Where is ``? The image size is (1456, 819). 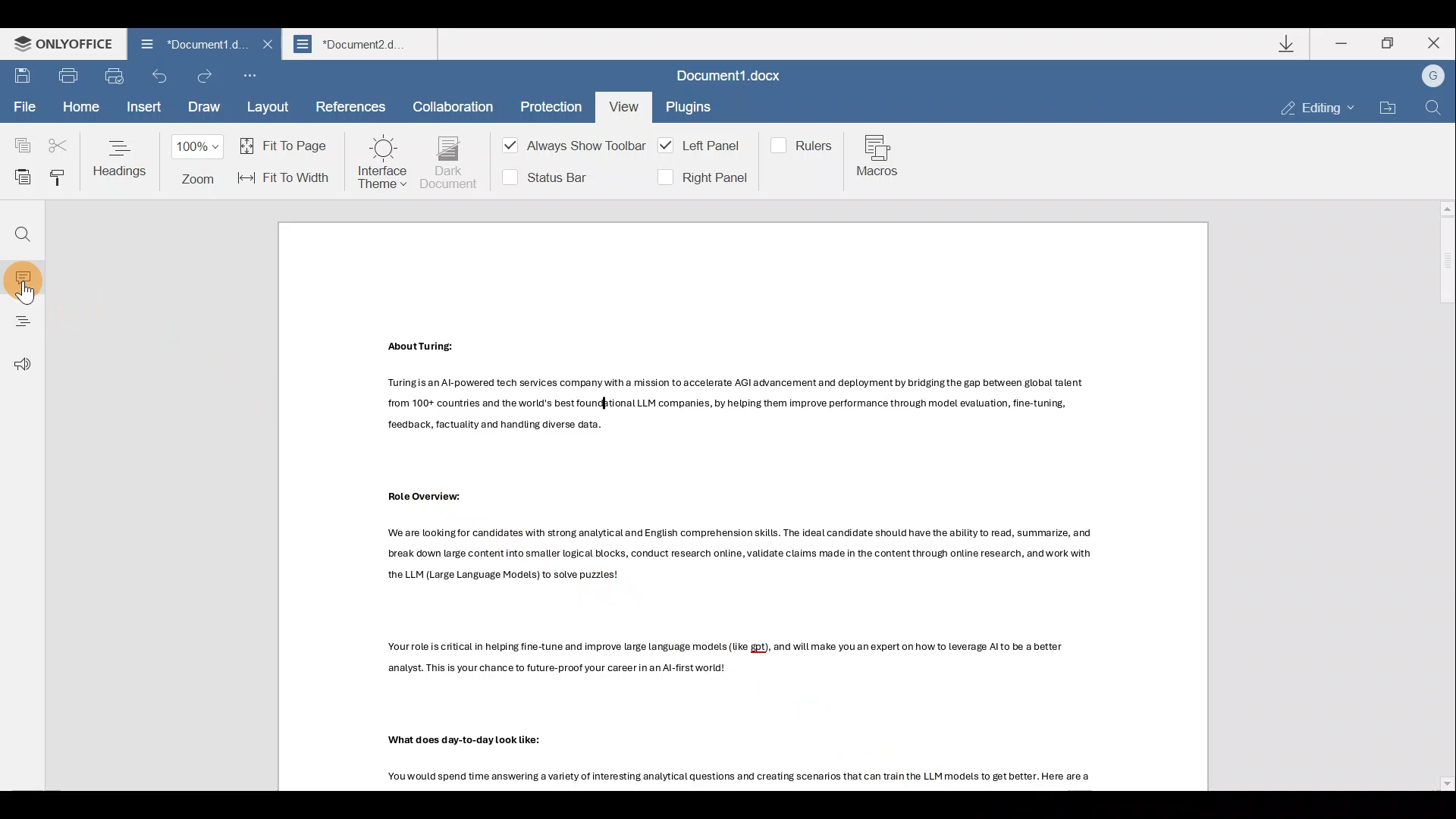  is located at coordinates (742, 557).